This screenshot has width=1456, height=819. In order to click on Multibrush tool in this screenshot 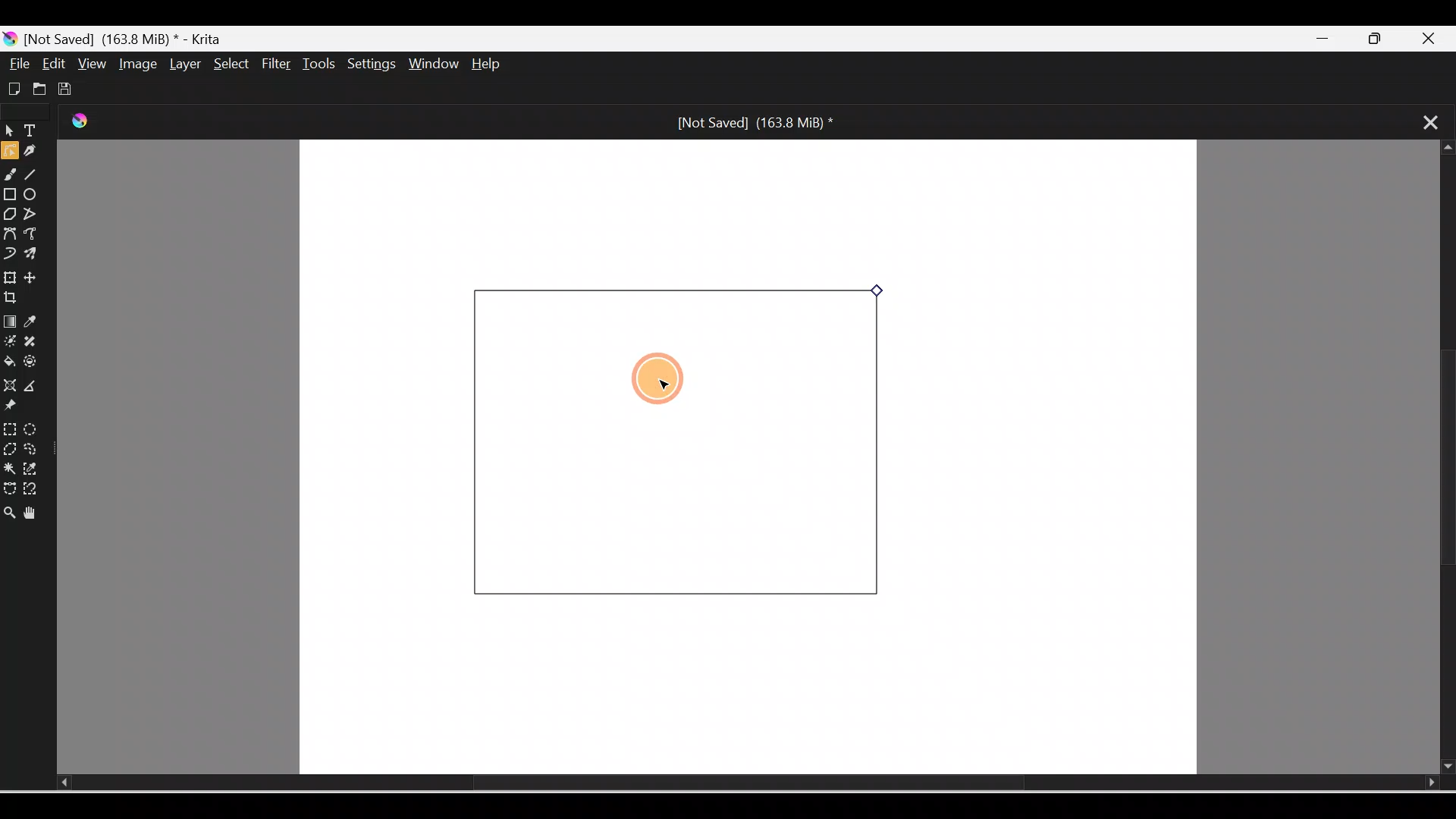, I will do `click(33, 256)`.